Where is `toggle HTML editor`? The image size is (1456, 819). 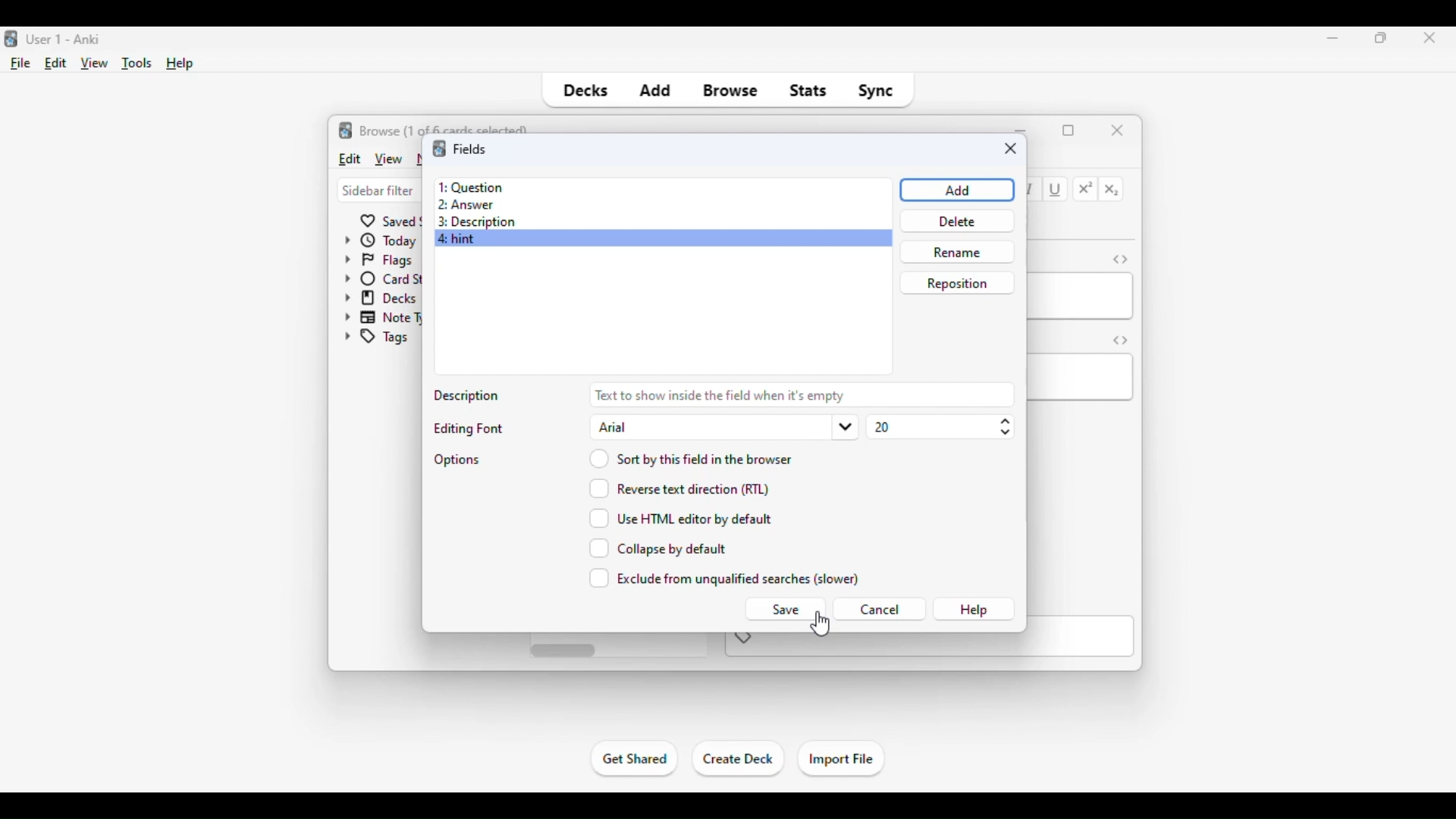 toggle HTML editor is located at coordinates (1121, 340).